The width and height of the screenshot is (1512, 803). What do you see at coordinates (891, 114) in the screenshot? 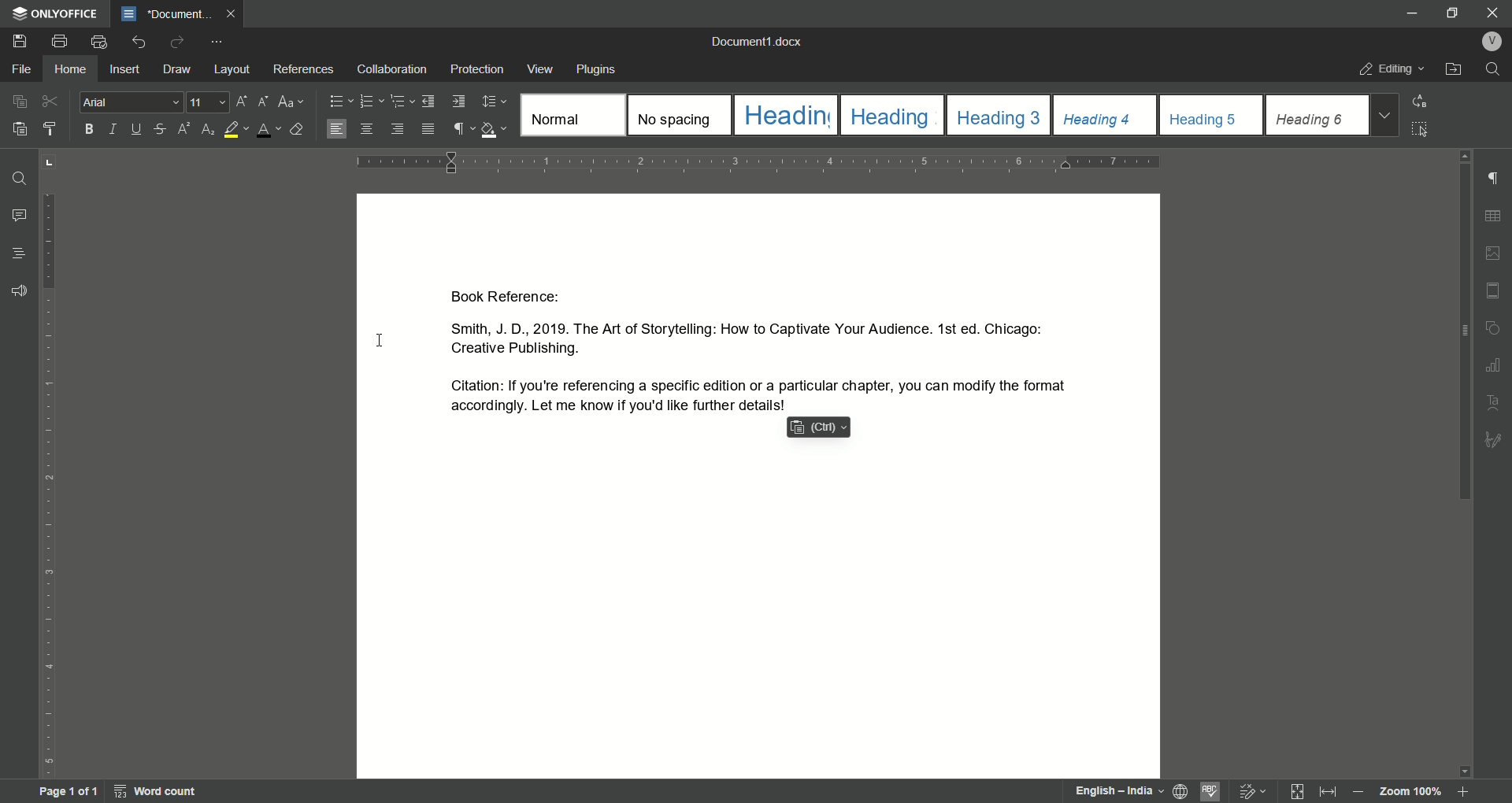
I see `headings` at bounding box center [891, 114].